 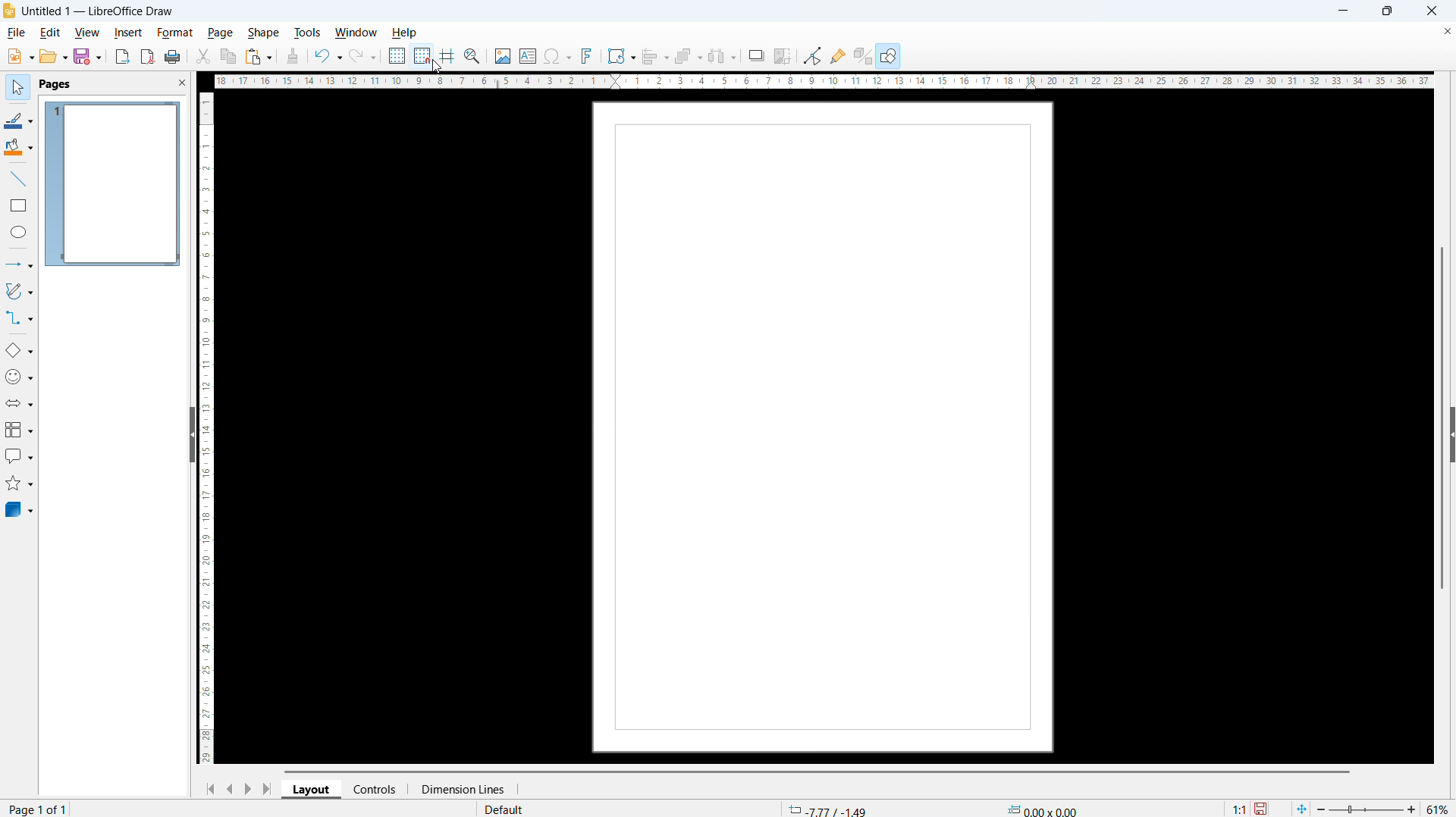 What do you see at coordinates (19, 351) in the screenshot?
I see `basic shapes` at bounding box center [19, 351].